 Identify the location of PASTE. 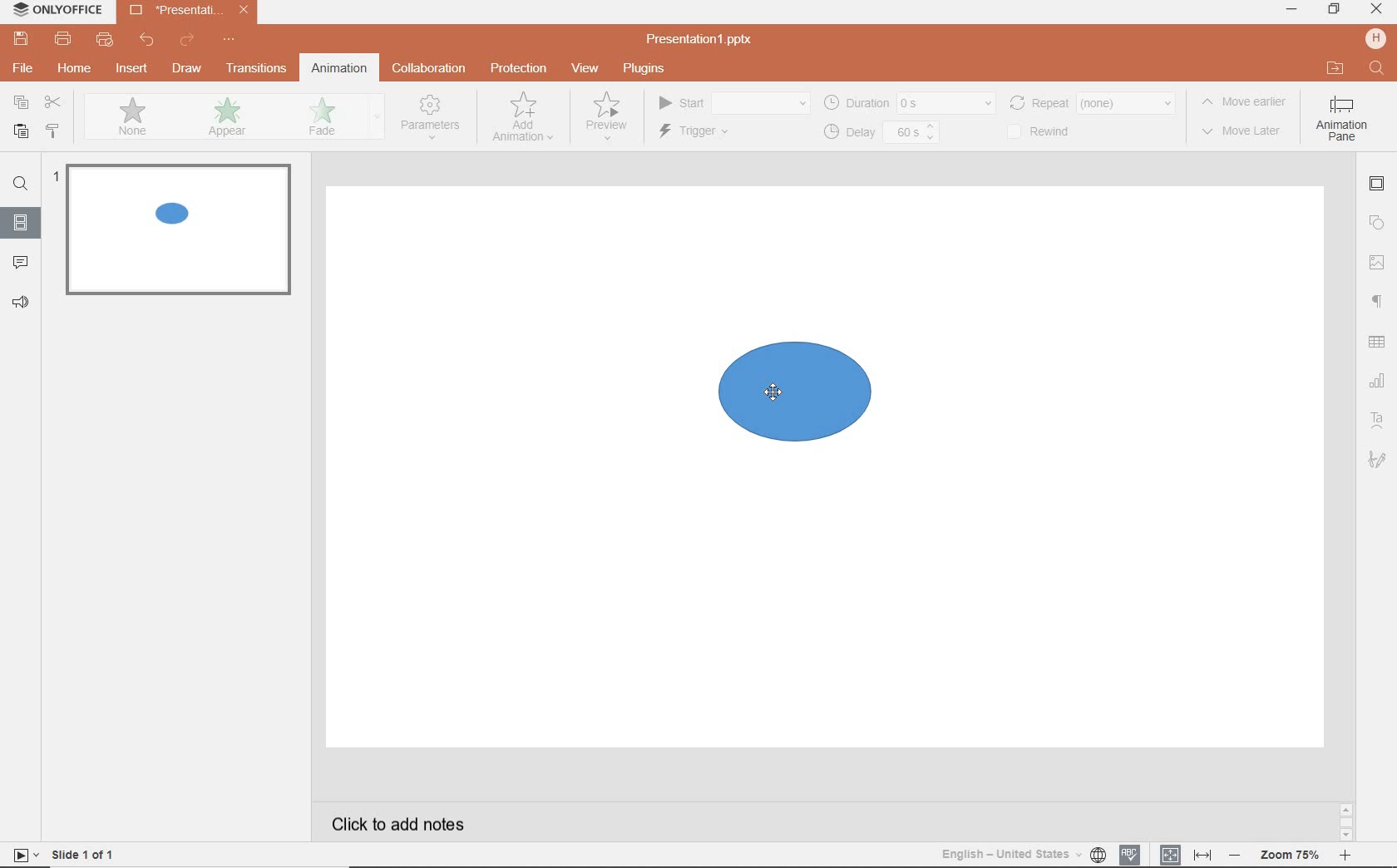
(20, 133).